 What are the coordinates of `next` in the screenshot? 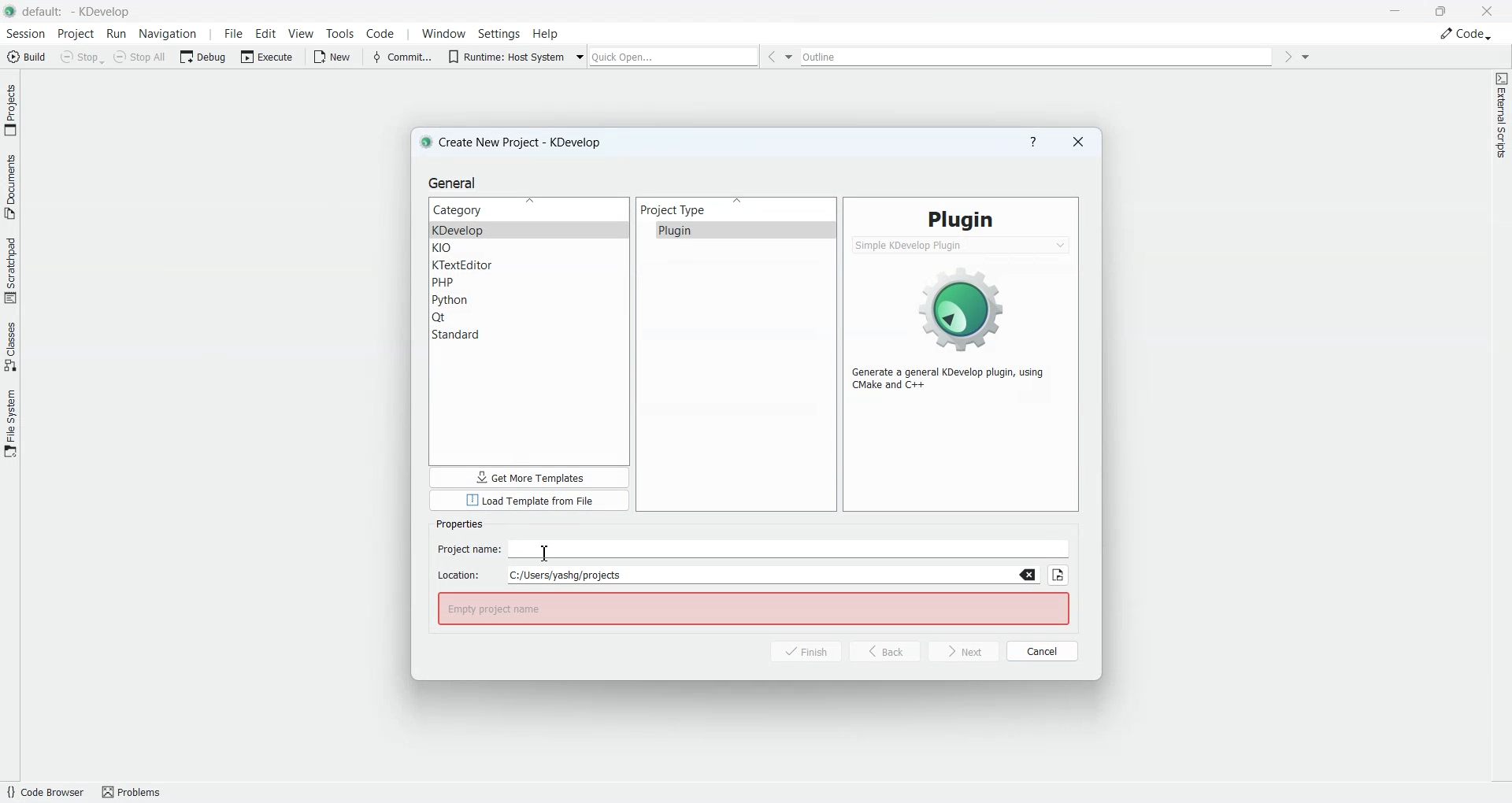 It's located at (964, 652).